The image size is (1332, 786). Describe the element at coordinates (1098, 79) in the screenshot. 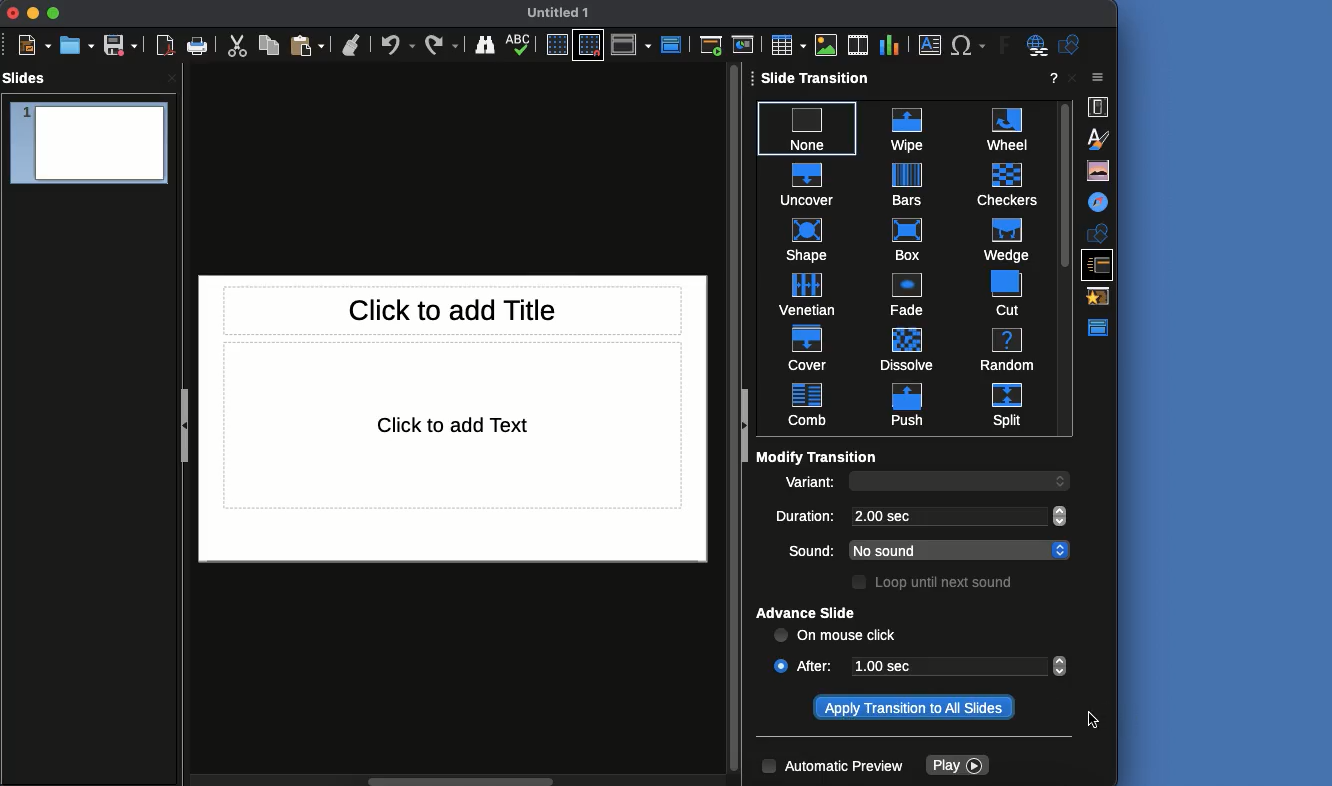

I see `Close` at that location.